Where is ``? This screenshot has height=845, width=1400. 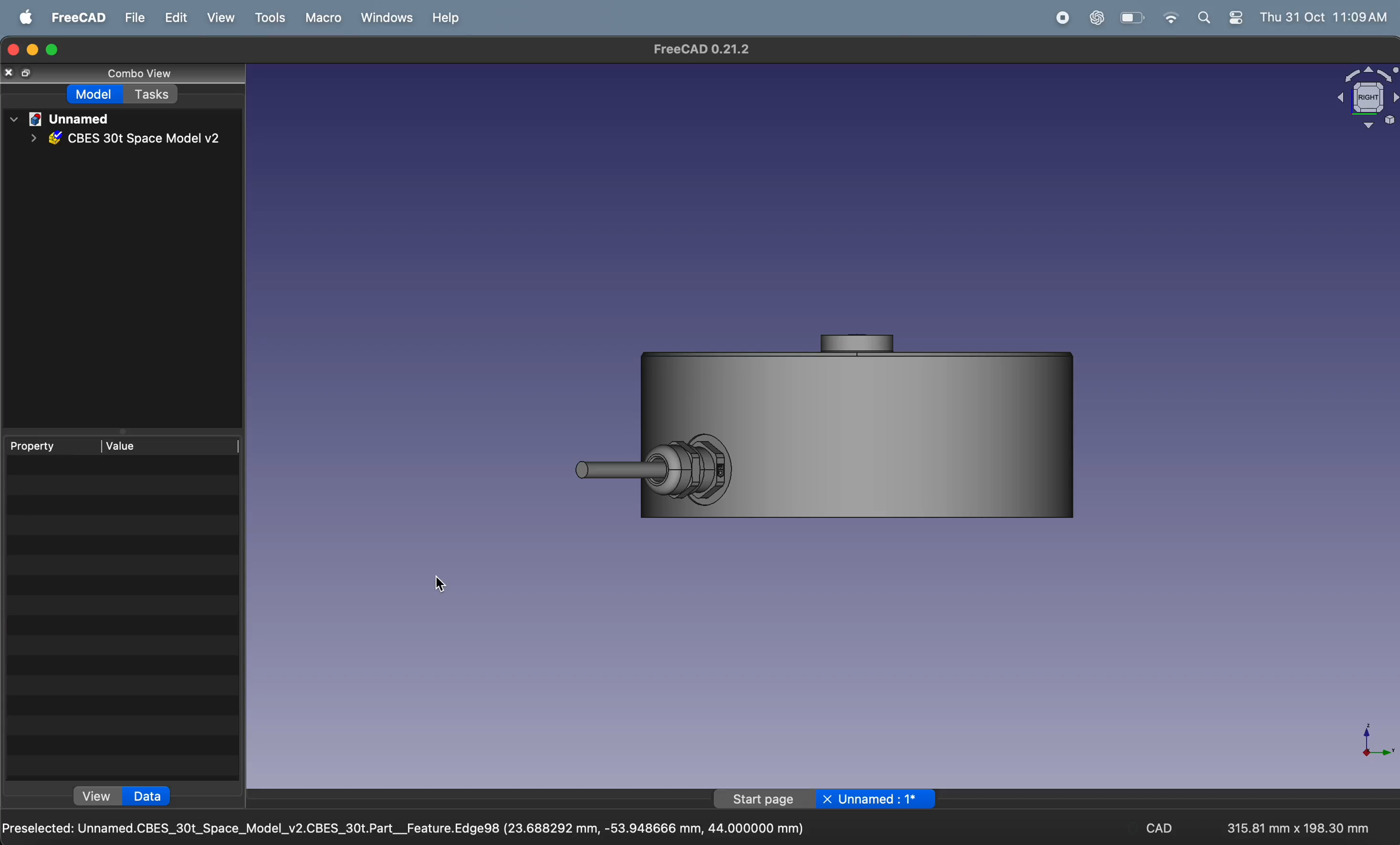
 is located at coordinates (827, 800).